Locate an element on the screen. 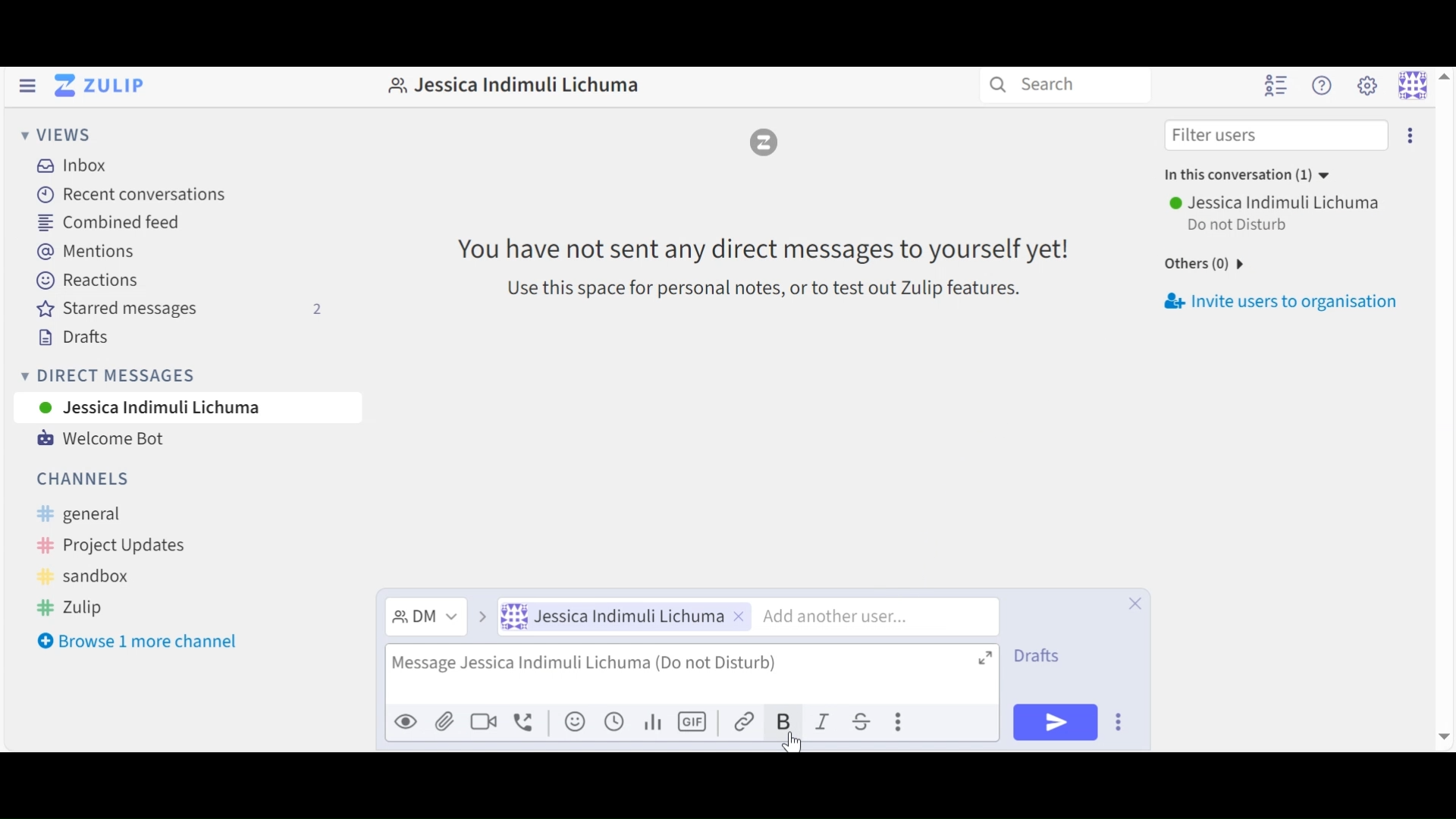  Hide user list is located at coordinates (1273, 86).